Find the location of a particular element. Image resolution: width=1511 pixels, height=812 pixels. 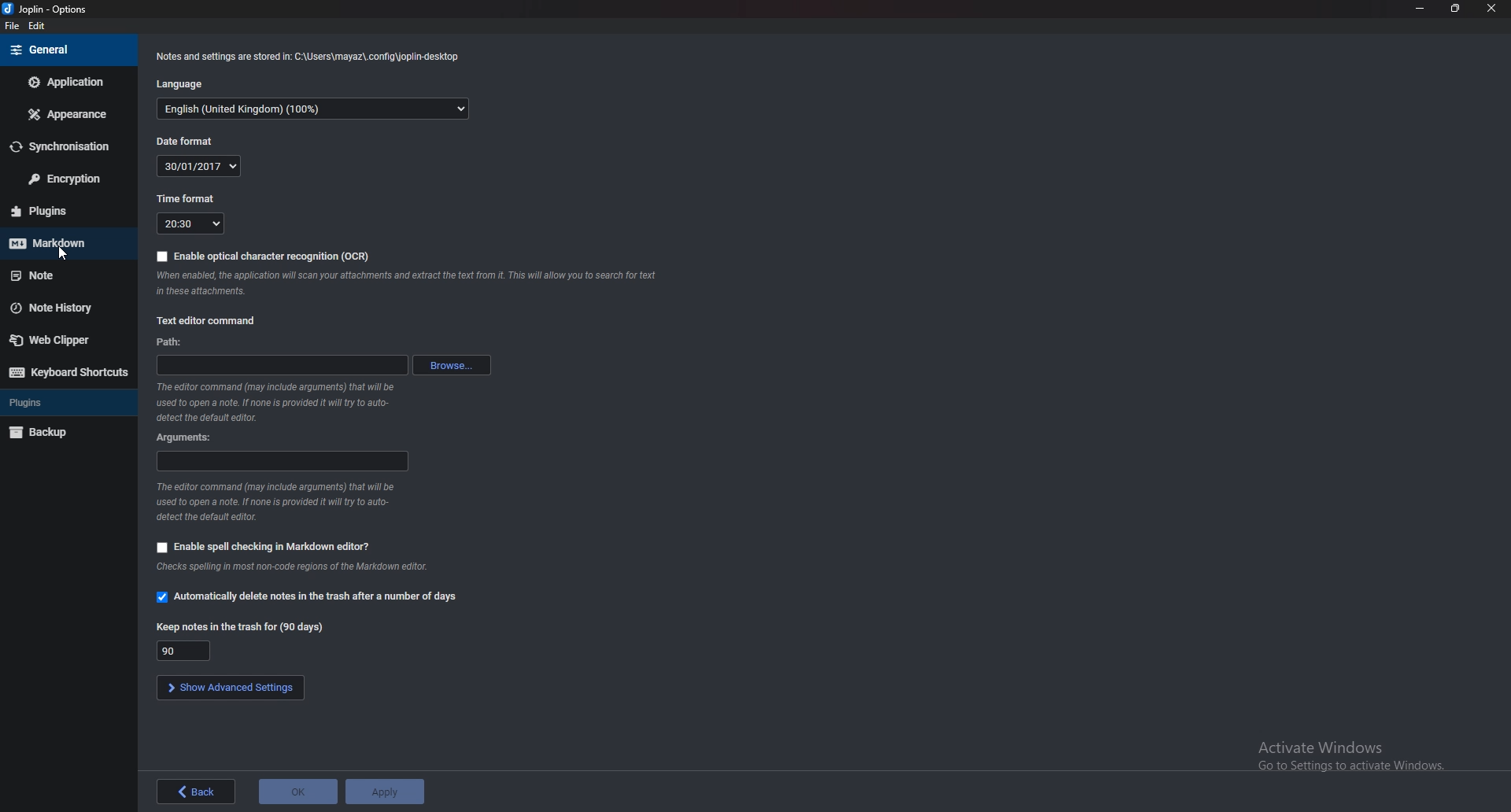

Application is located at coordinates (64, 83).